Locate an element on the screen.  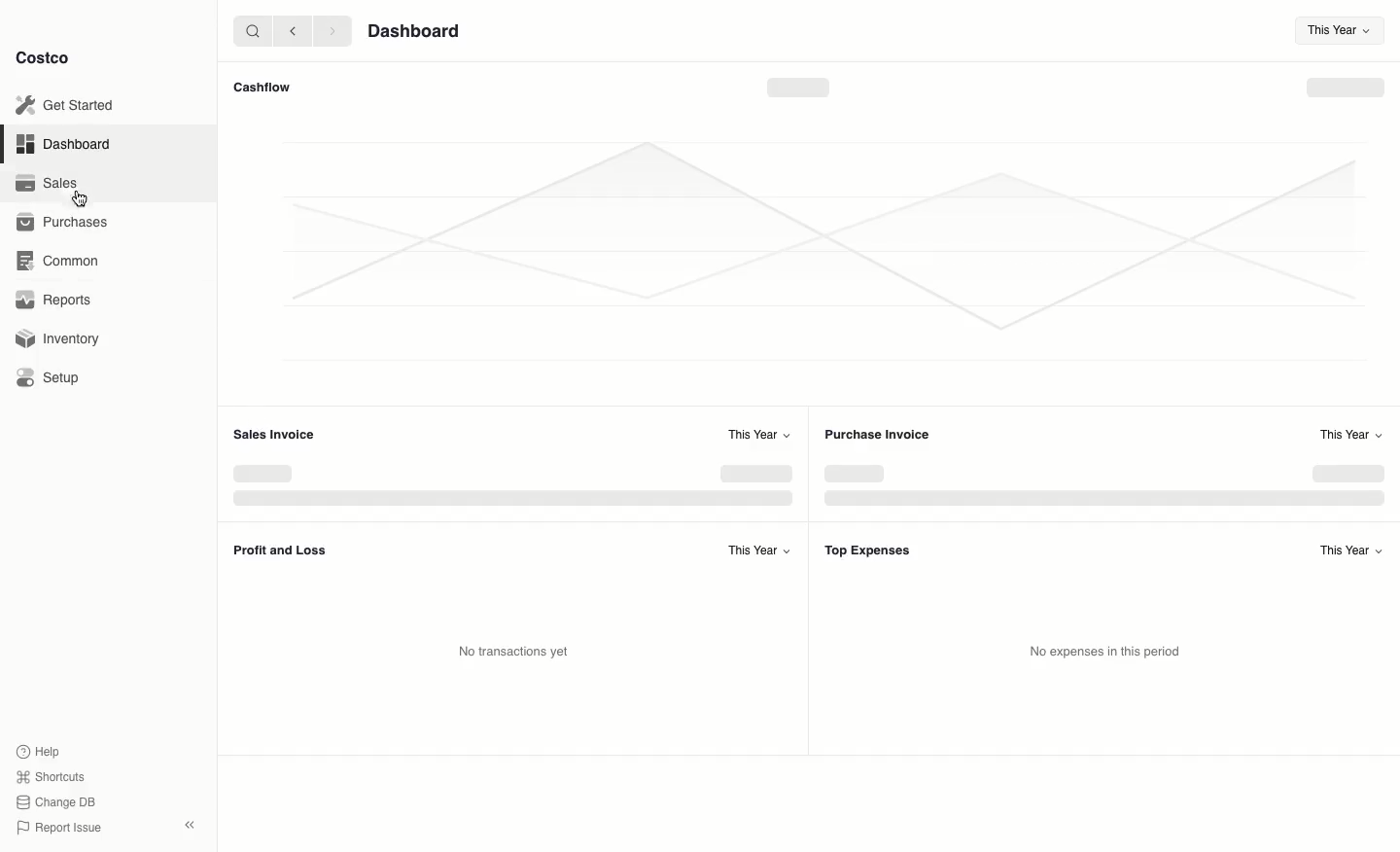
Forward is located at coordinates (332, 32).